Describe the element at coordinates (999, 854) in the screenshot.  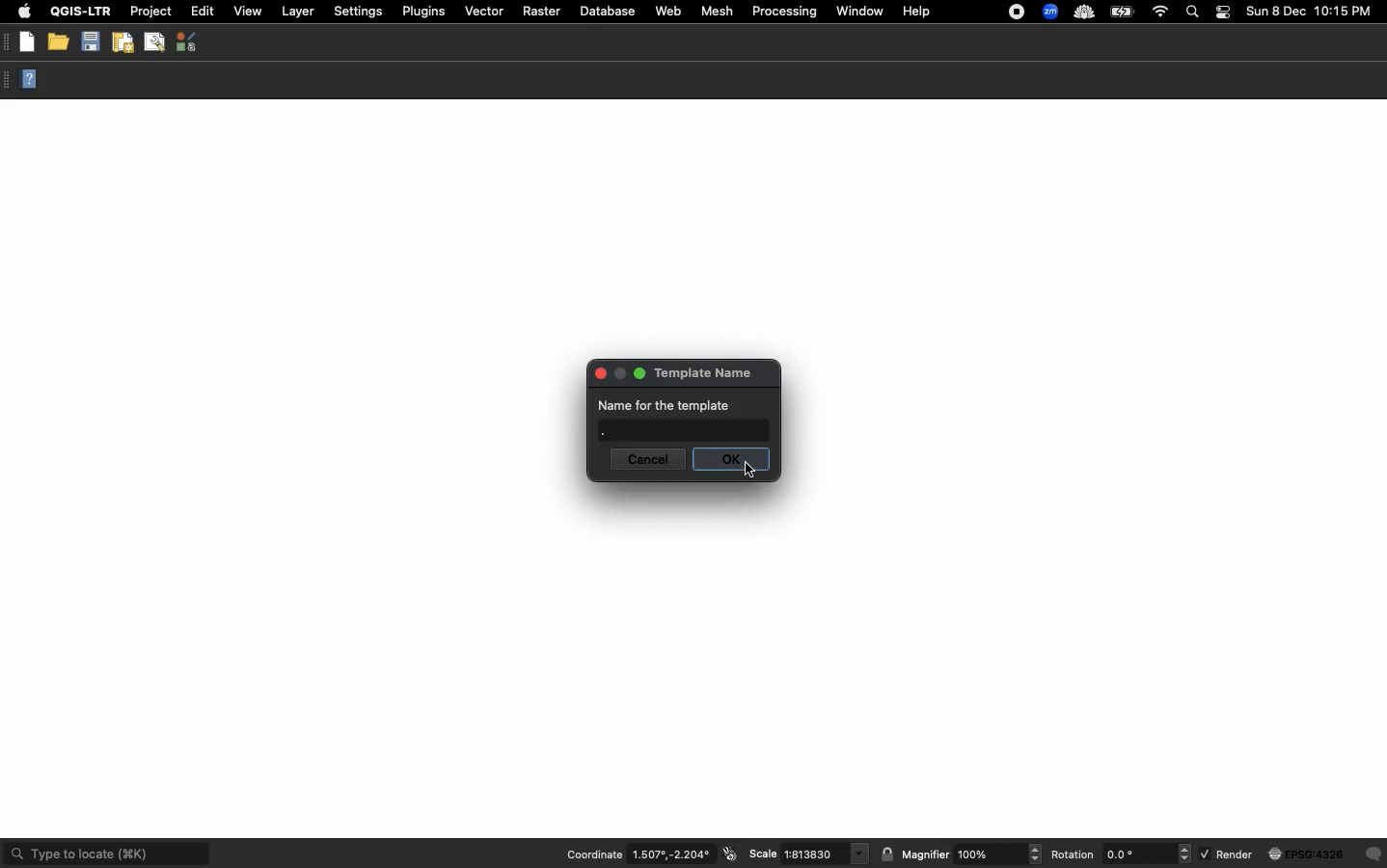
I see `magnifier` at that location.